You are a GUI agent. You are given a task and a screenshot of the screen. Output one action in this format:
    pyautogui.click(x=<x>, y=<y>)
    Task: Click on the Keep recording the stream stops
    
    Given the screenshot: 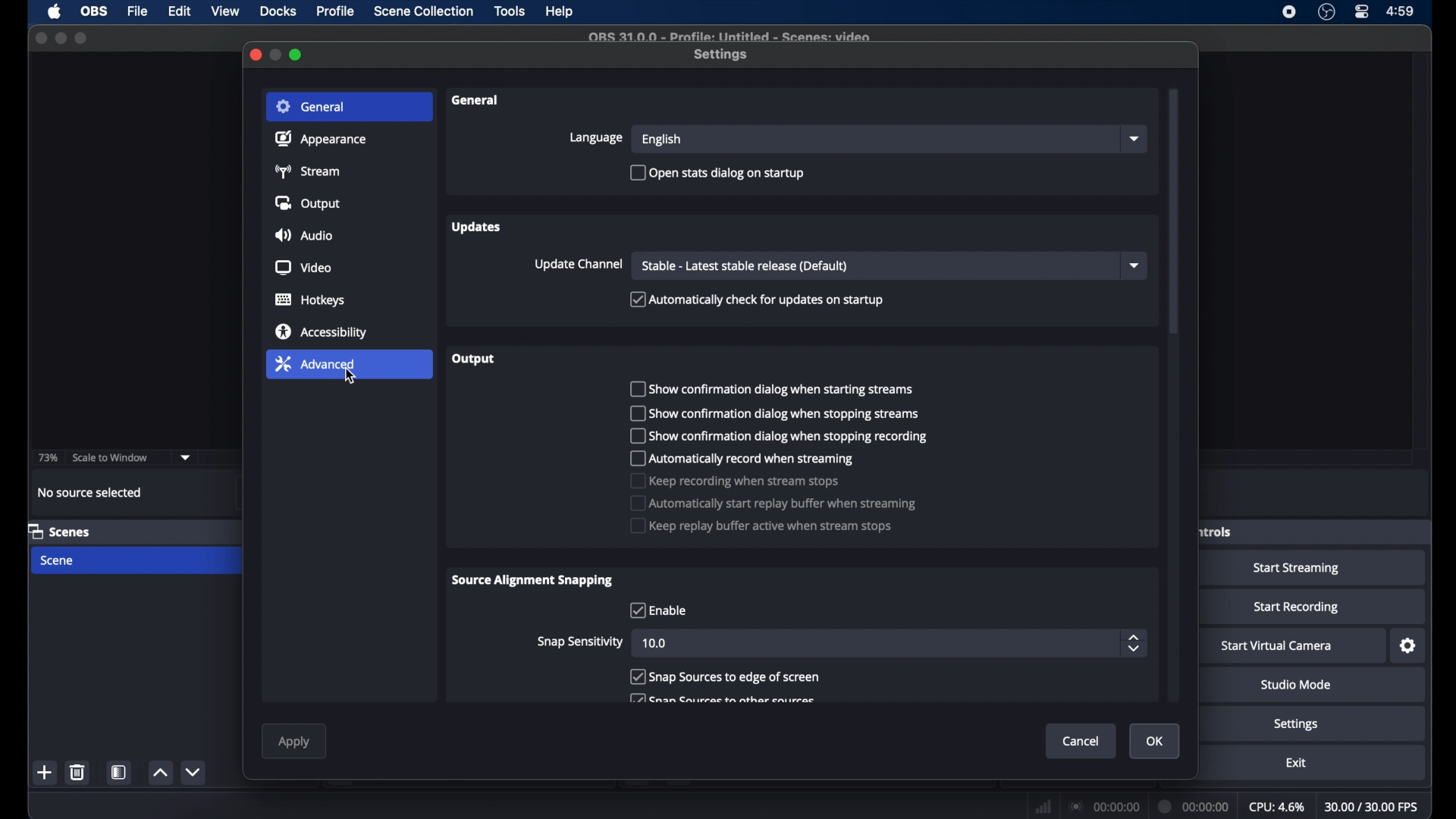 What is the action you would take?
    pyautogui.click(x=737, y=481)
    